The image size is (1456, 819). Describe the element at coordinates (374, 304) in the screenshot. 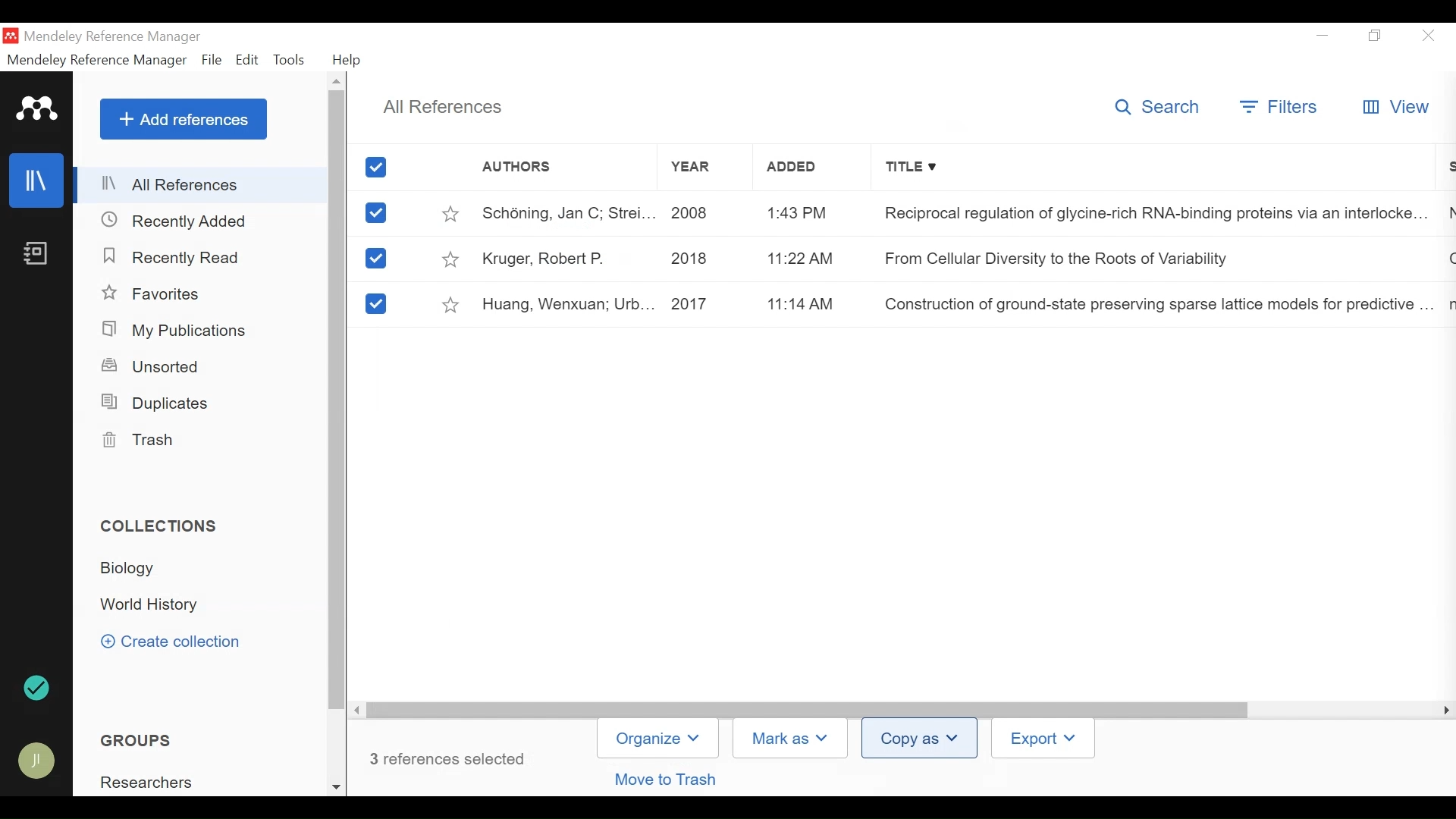

I see `(un)select` at that location.